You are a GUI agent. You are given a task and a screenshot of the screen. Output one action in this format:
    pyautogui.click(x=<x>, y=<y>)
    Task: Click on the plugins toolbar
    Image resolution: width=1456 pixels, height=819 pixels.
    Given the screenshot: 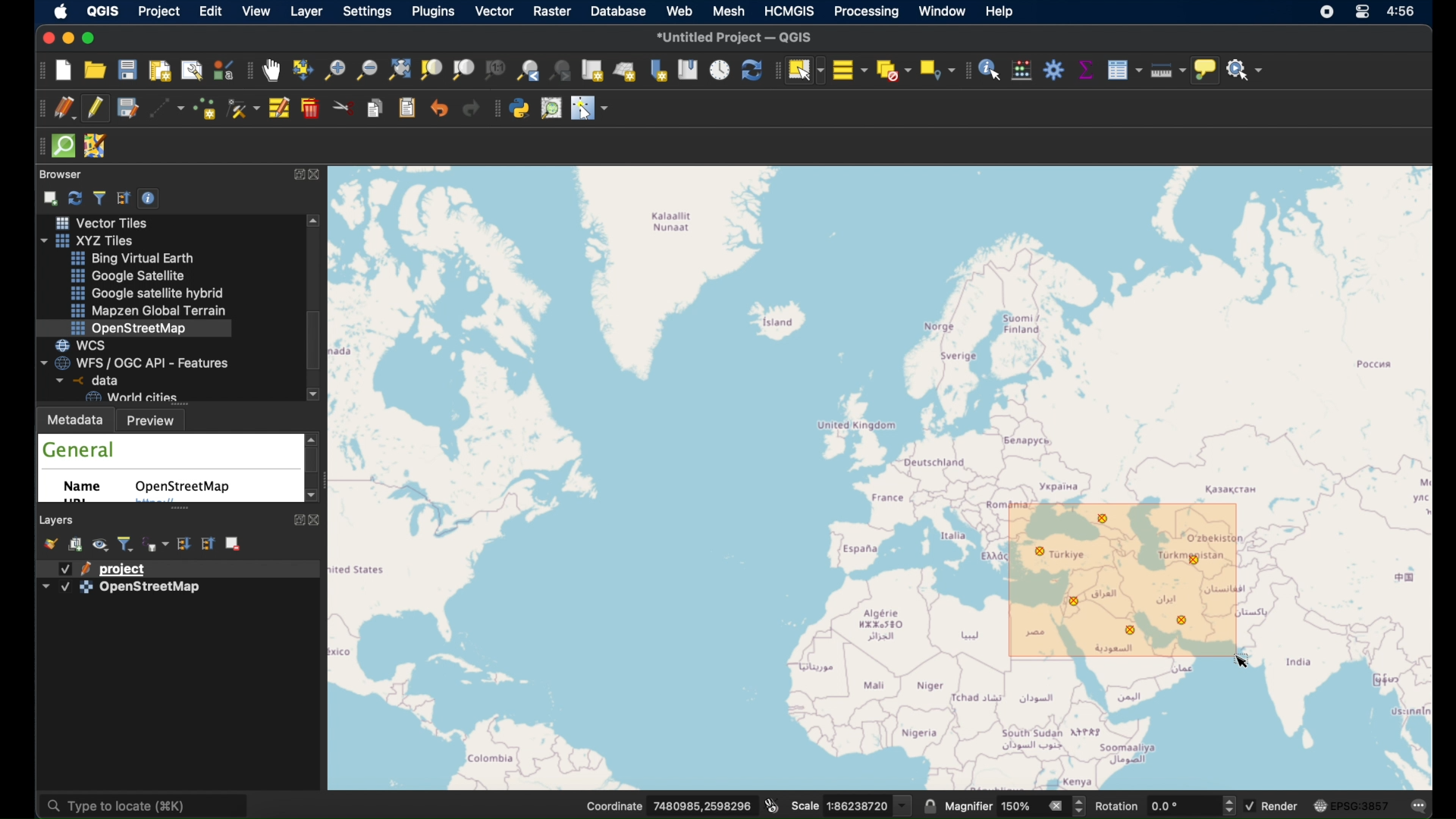 What is the action you would take?
    pyautogui.click(x=494, y=110)
    